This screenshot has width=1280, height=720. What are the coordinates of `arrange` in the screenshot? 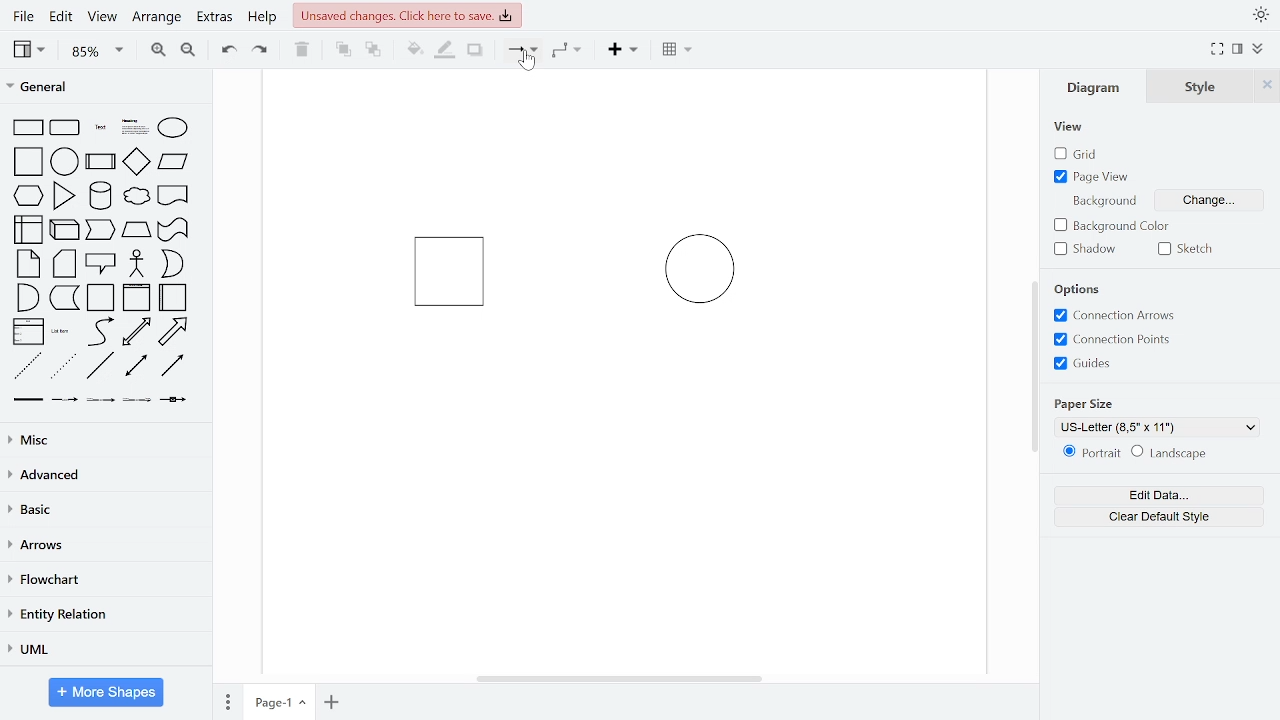 It's located at (157, 18).